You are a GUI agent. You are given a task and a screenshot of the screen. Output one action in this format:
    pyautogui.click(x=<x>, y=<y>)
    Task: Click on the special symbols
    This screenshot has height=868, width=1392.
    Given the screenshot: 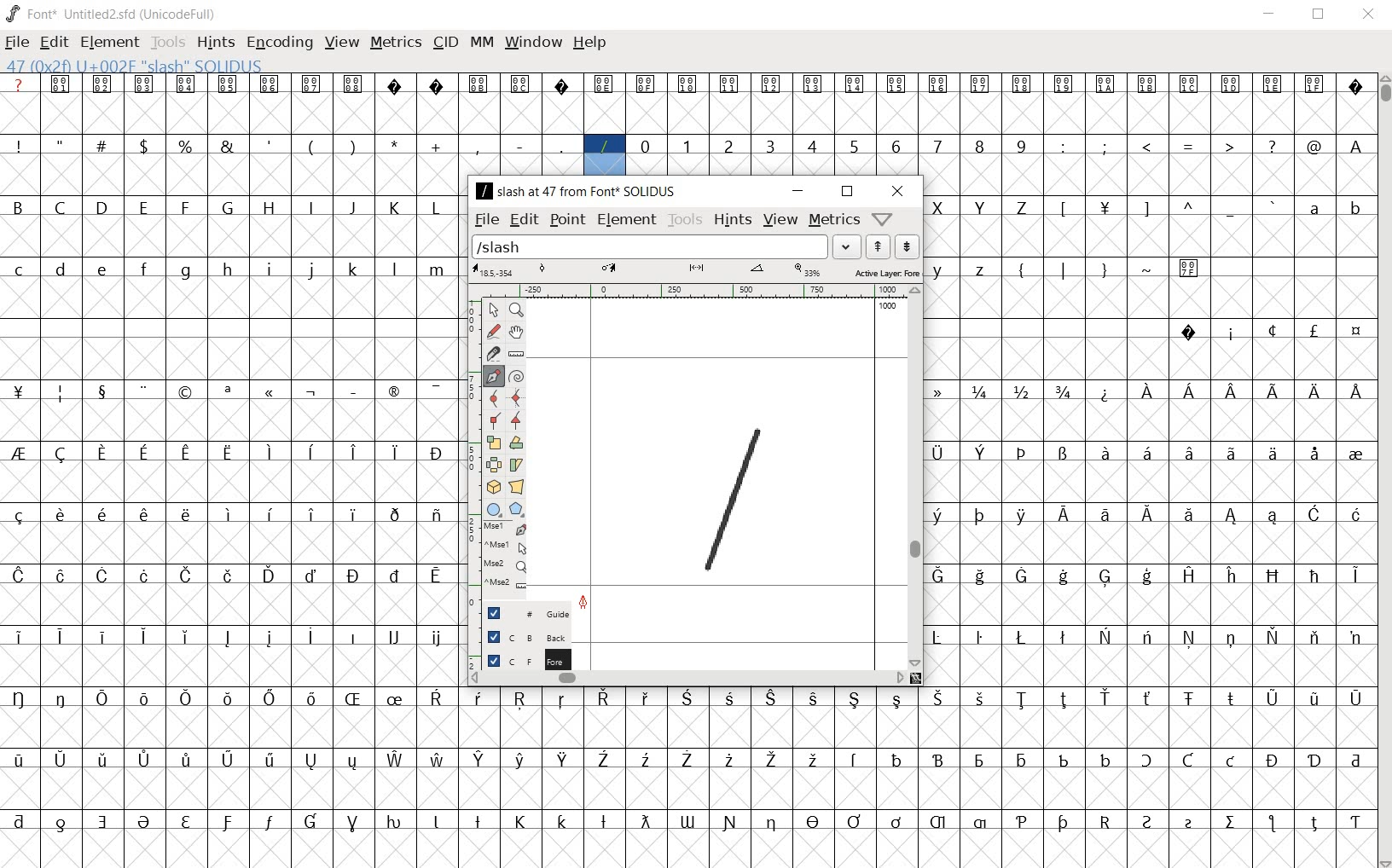 What is the action you would take?
    pyautogui.click(x=685, y=84)
    